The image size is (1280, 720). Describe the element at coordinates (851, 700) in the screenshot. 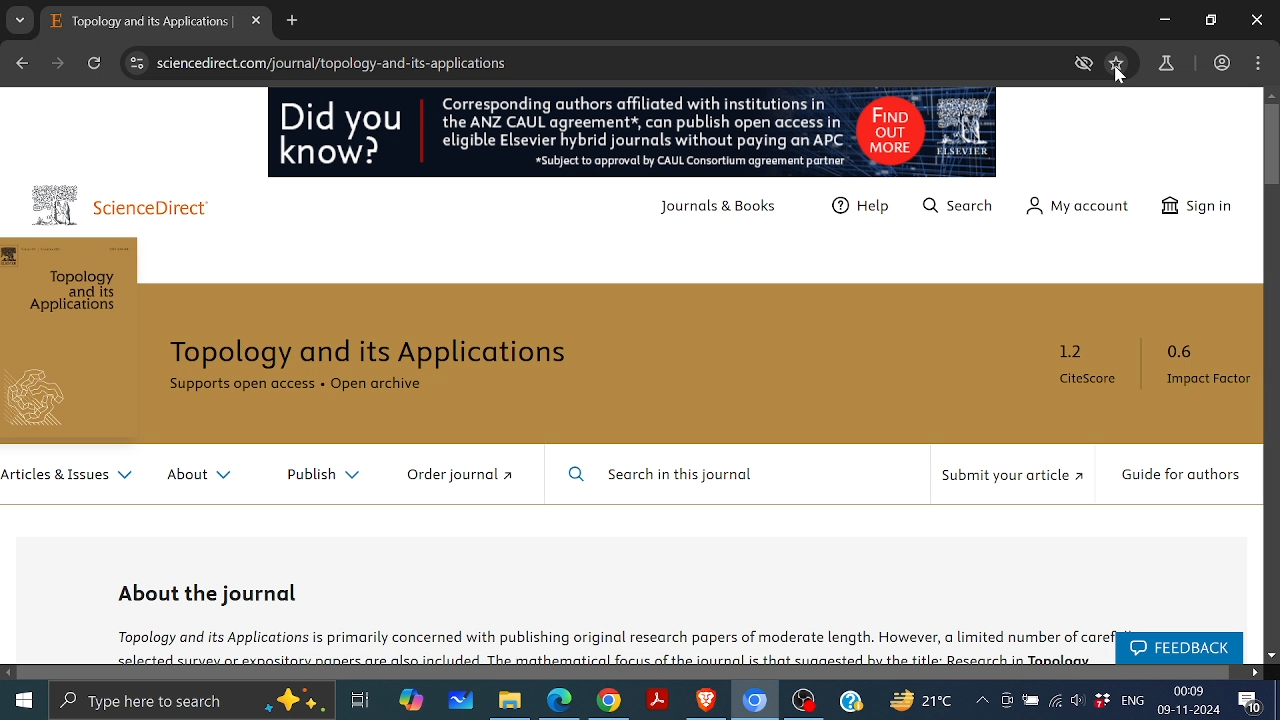

I see `Help` at that location.